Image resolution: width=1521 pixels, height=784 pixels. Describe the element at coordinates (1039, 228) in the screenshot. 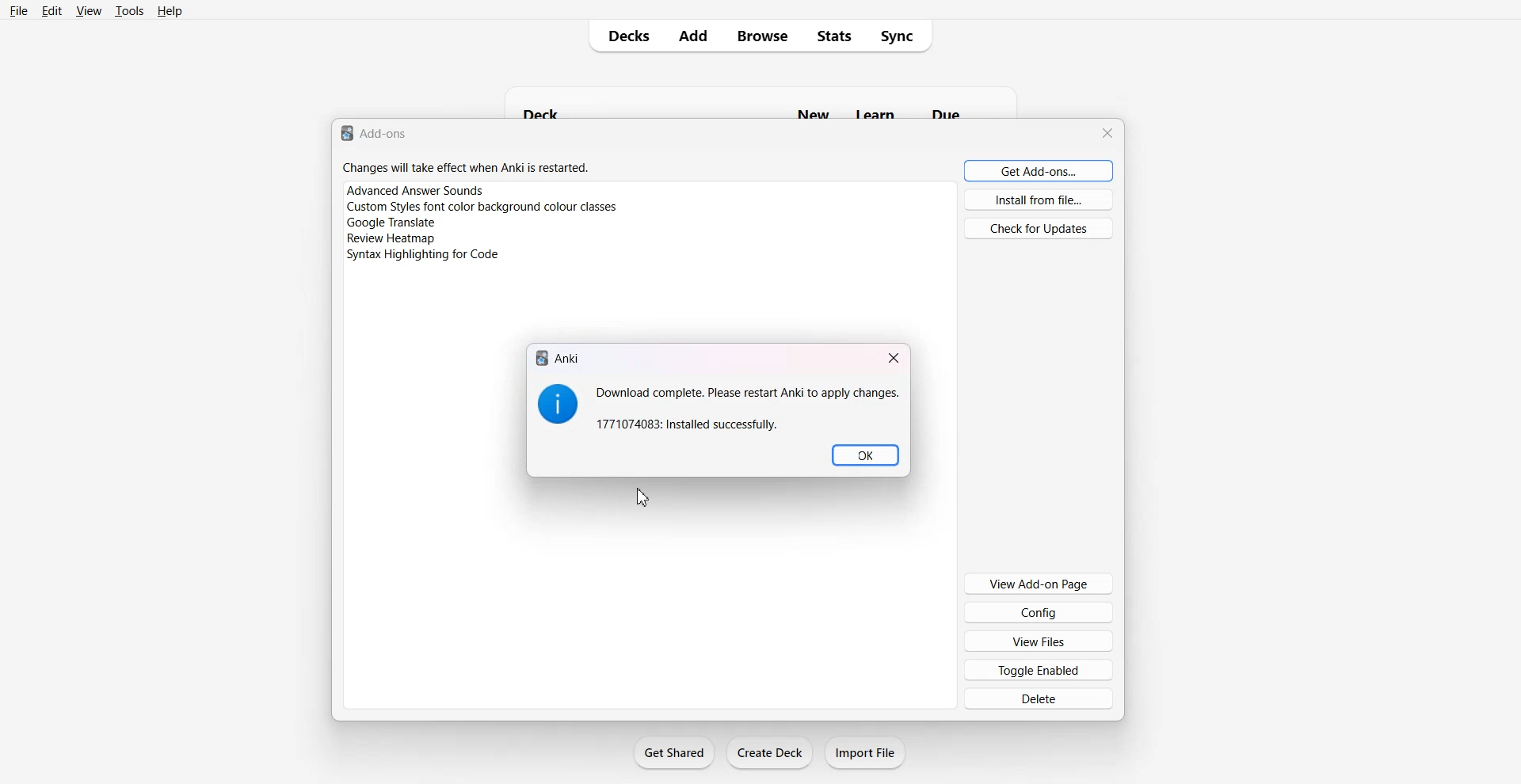

I see `Check for Updates` at that location.